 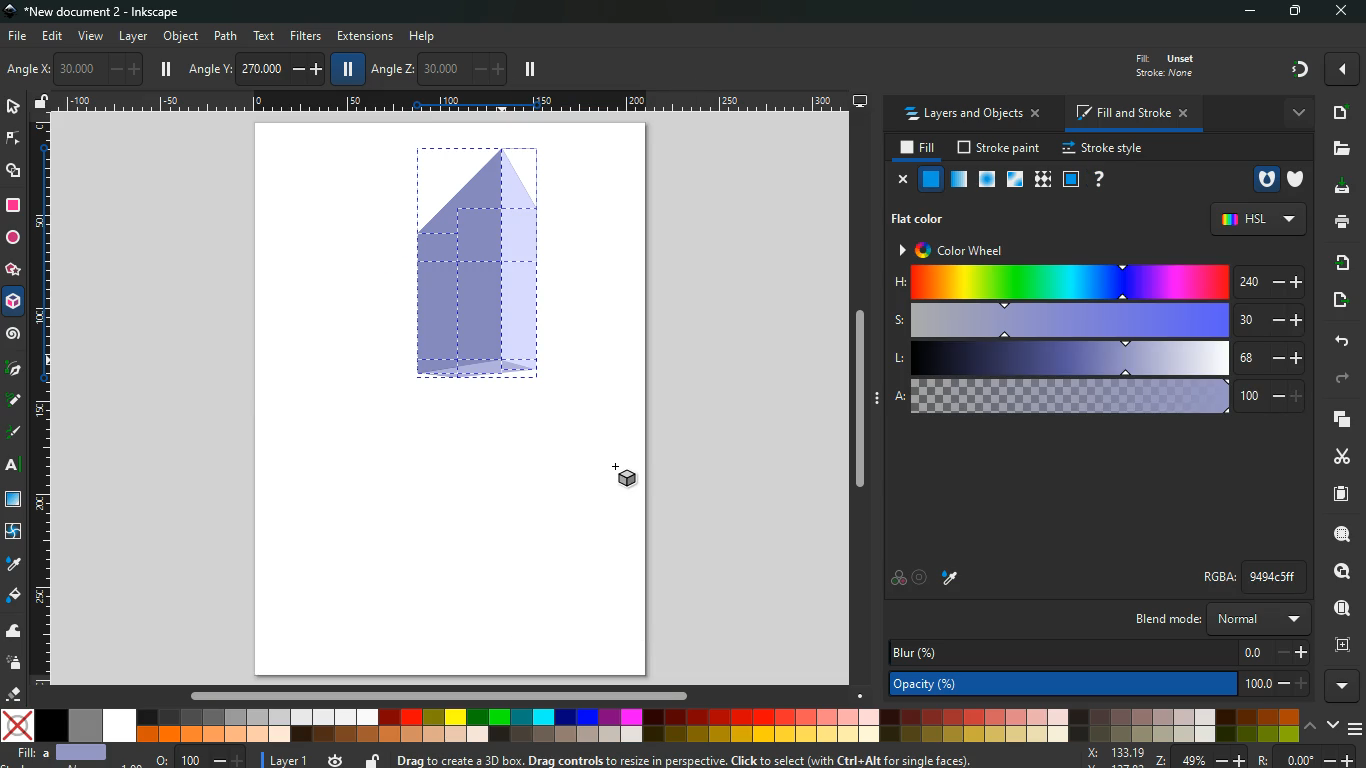 What do you see at coordinates (69, 755) in the screenshot?
I see `fill` at bounding box center [69, 755].